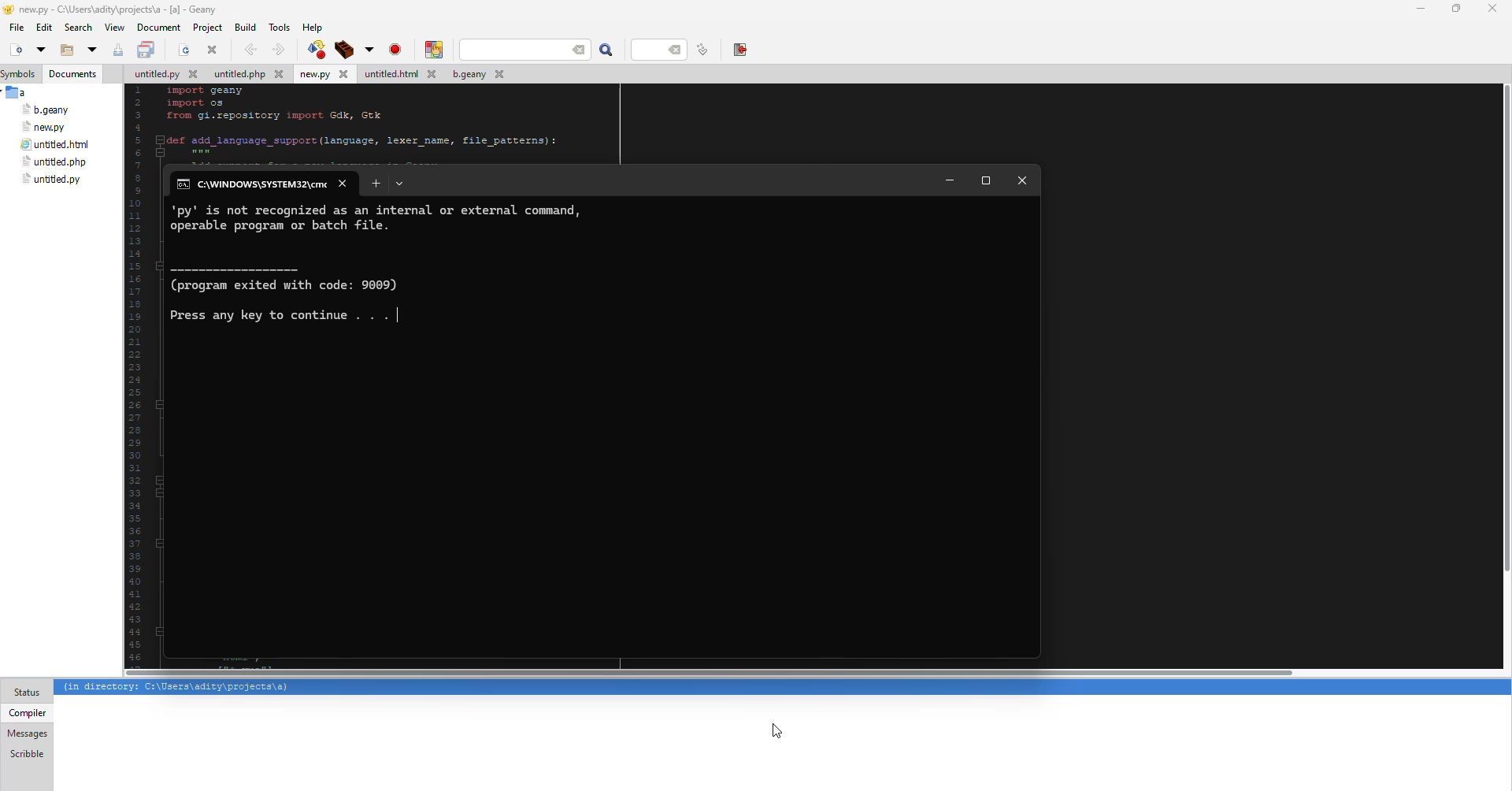 The image size is (1512, 791). Describe the element at coordinates (376, 183) in the screenshot. I see `add` at that location.